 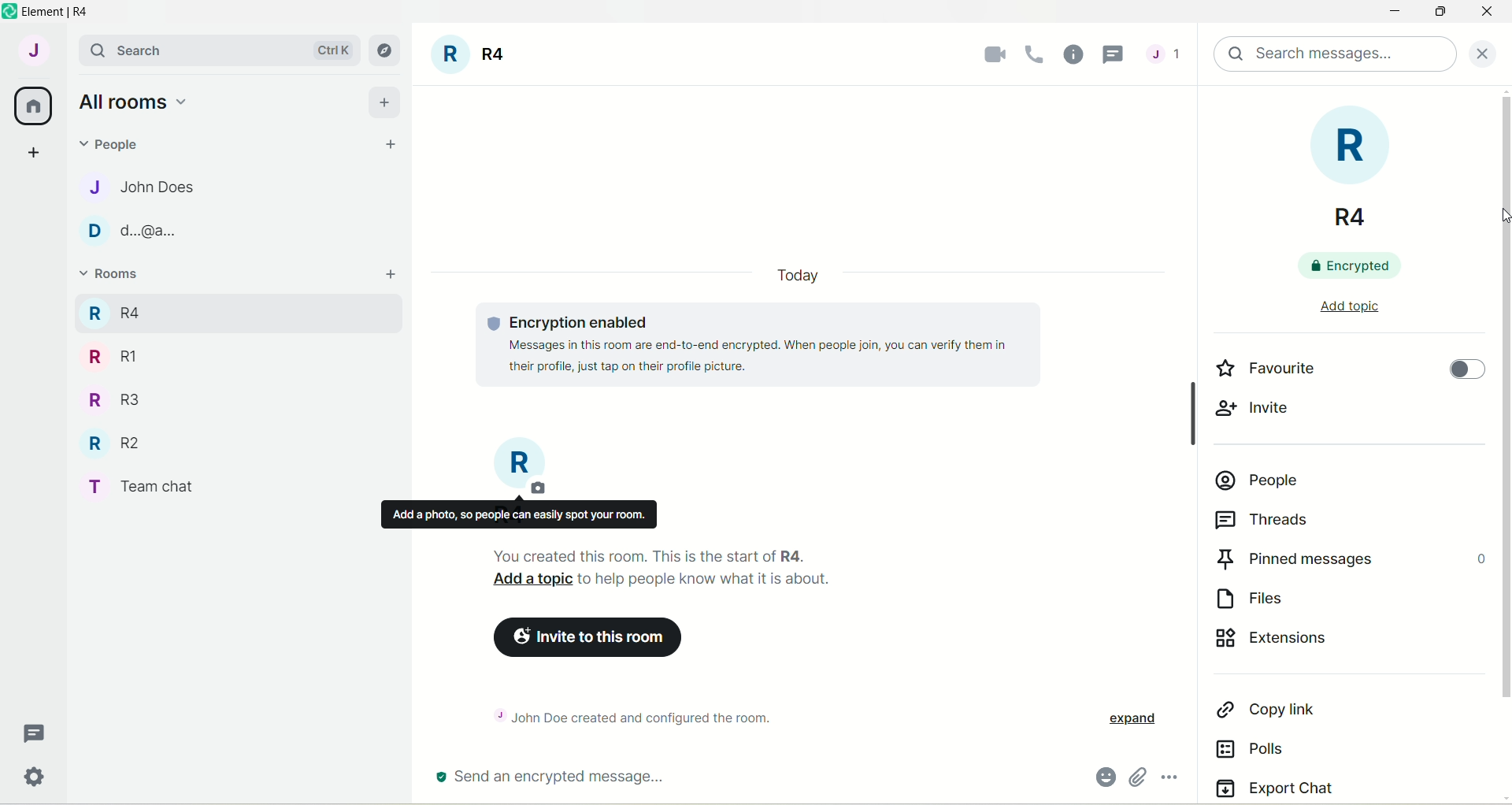 I want to click on encrypted, so click(x=1346, y=268).